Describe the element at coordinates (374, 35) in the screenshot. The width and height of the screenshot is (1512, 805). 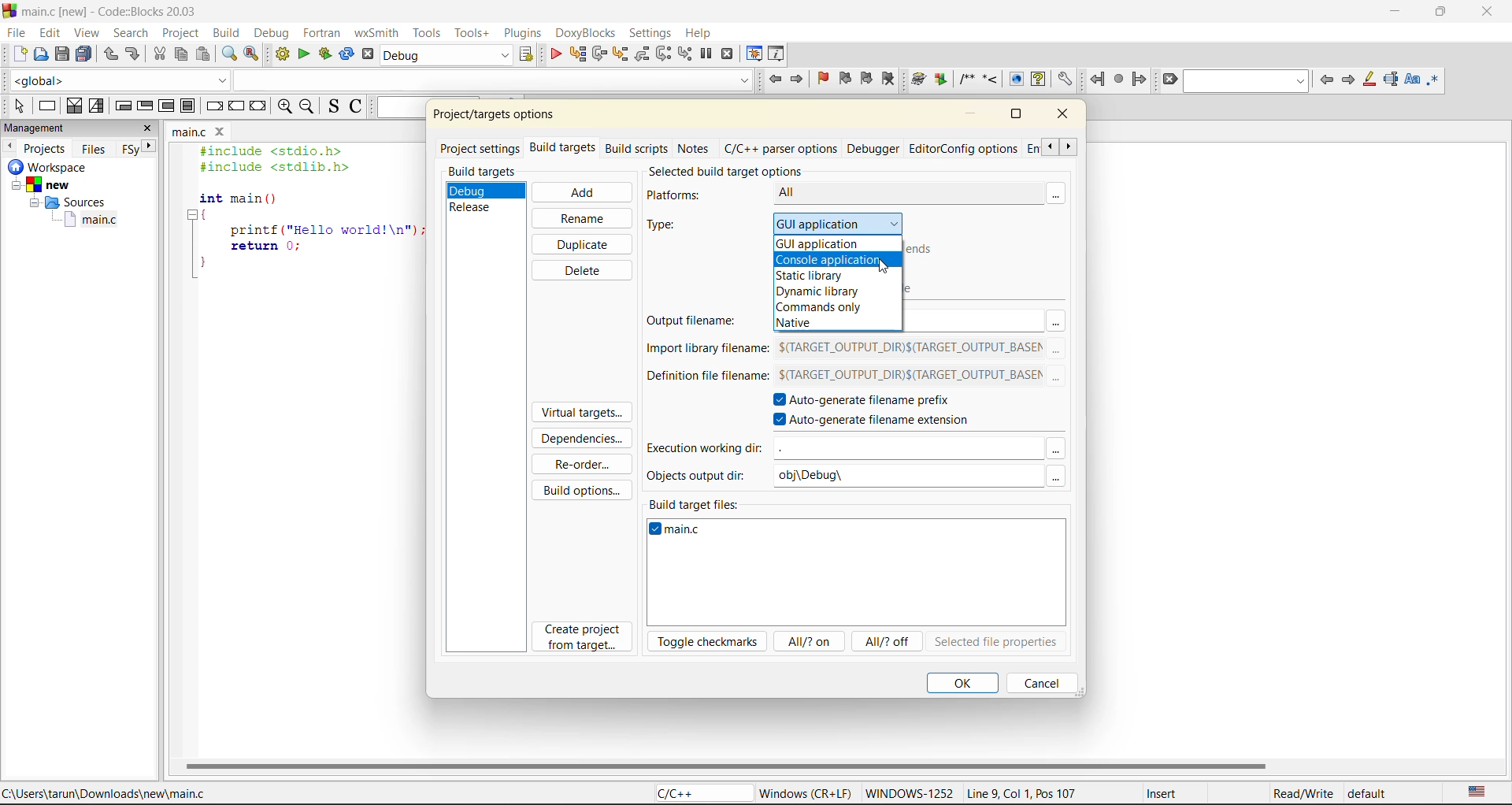
I see `wxsmith` at that location.